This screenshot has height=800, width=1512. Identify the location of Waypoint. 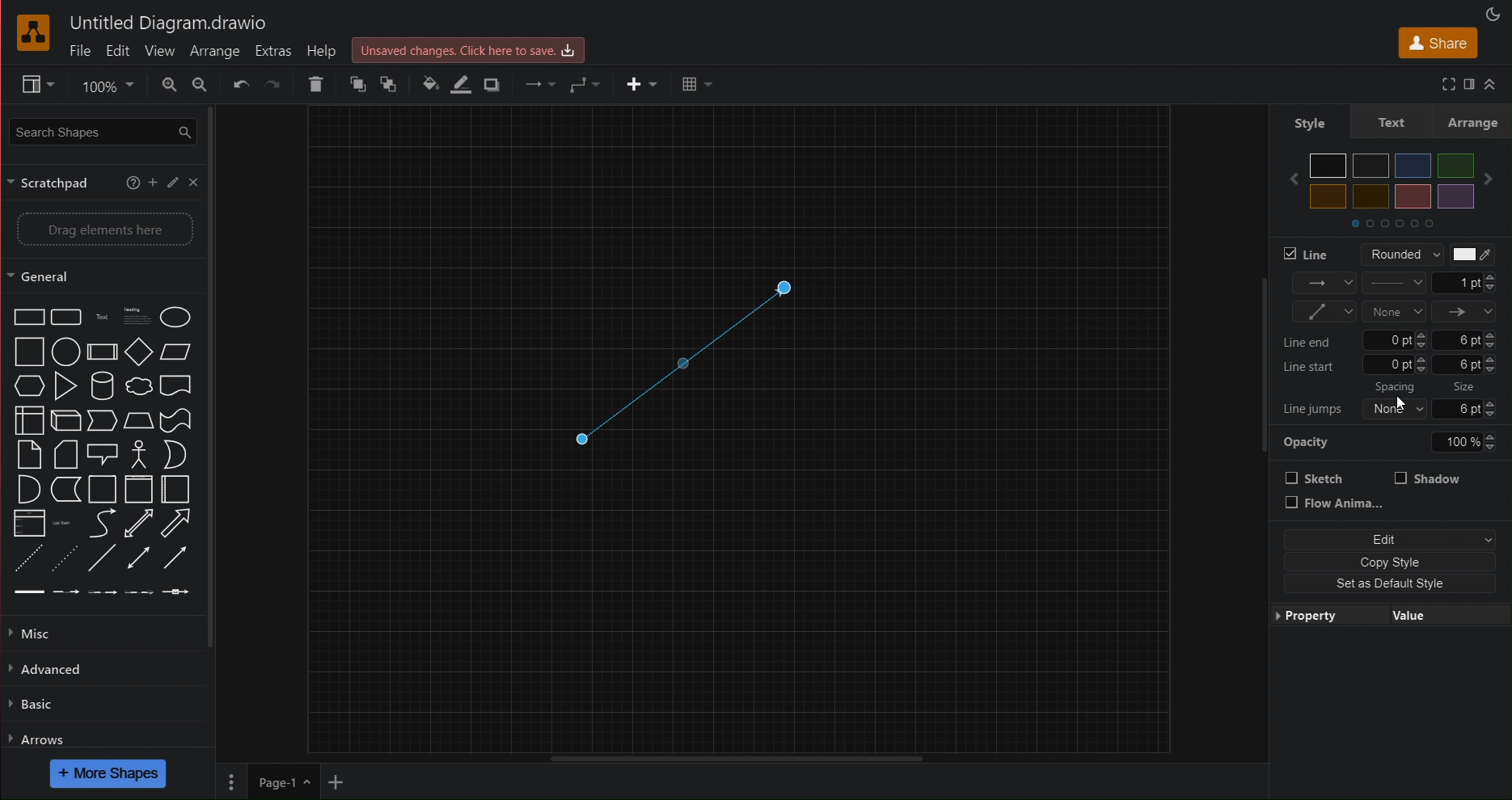
(538, 85).